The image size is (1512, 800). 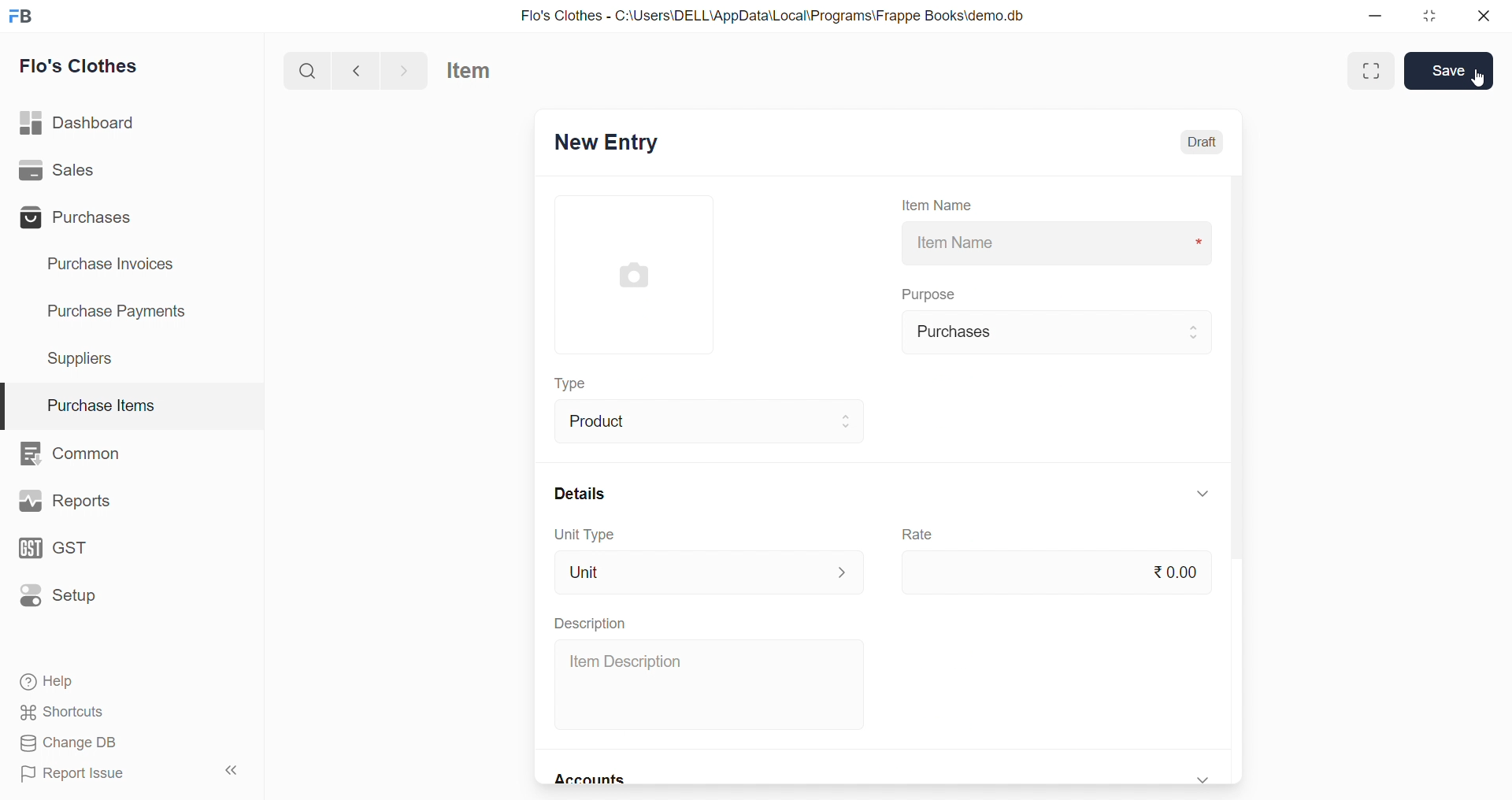 What do you see at coordinates (121, 265) in the screenshot?
I see `Purchase Invoices` at bounding box center [121, 265].